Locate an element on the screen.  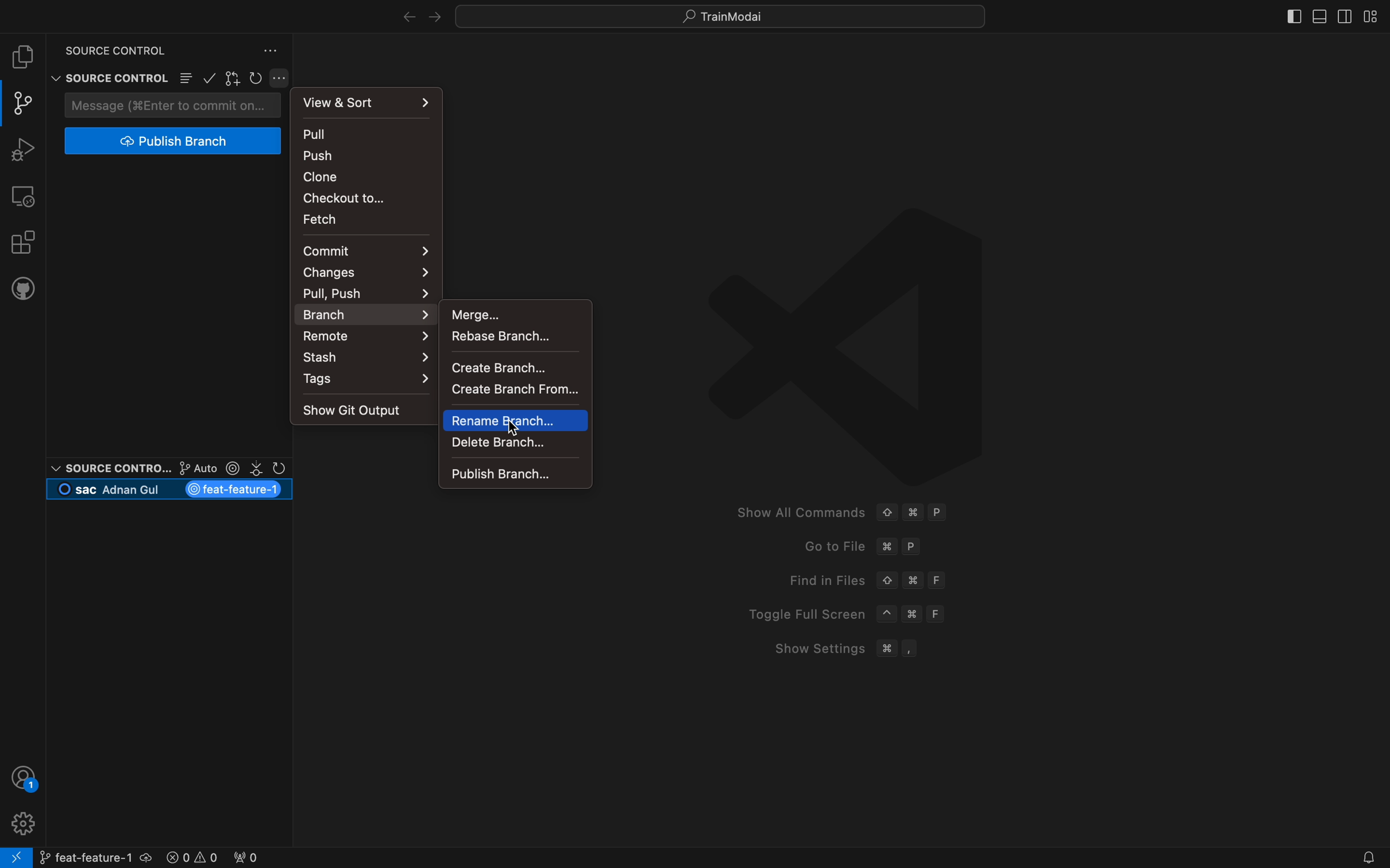
debugger is located at coordinates (22, 148).